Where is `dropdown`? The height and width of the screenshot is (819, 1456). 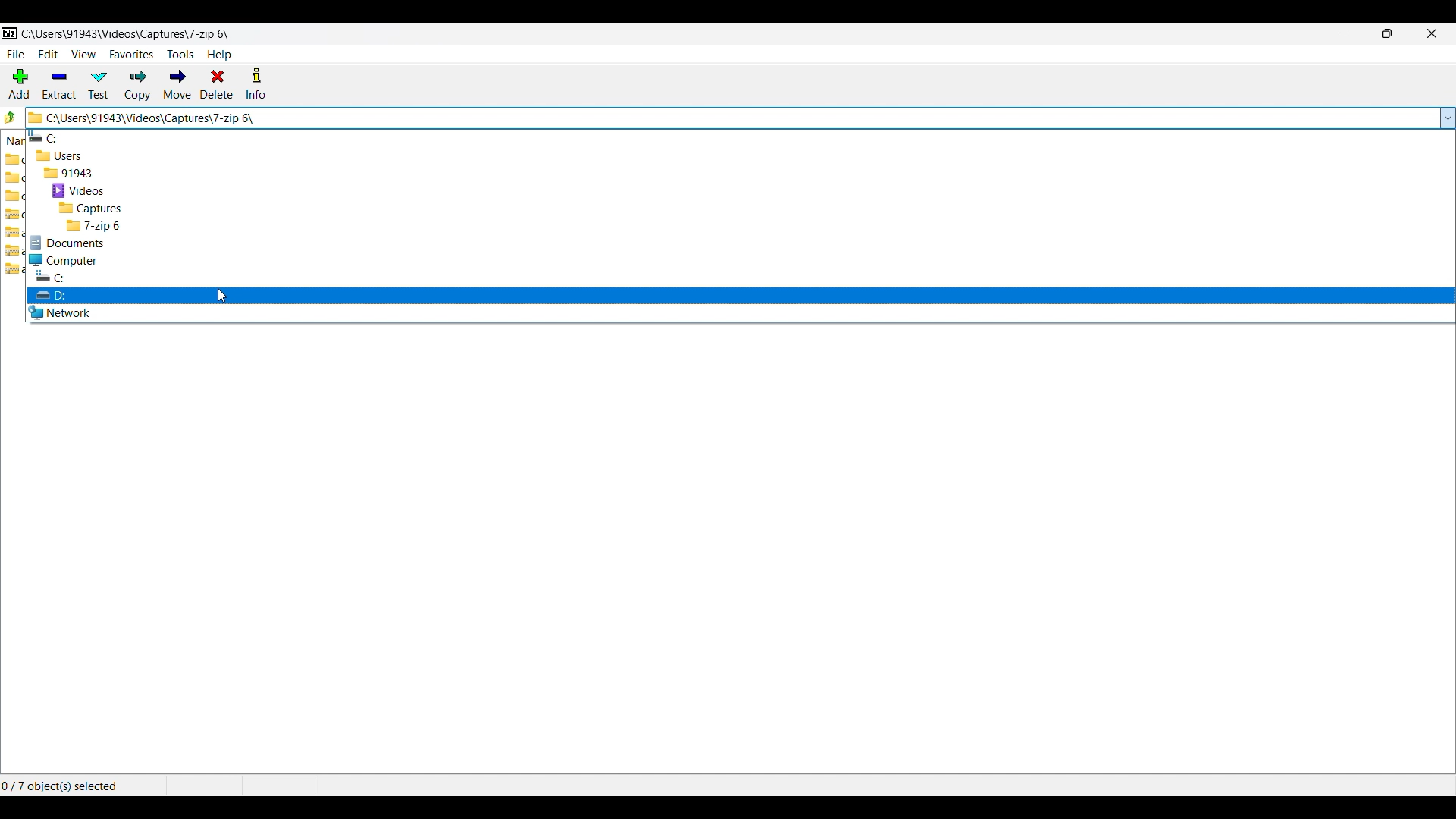 dropdown is located at coordinates (1447, 117).